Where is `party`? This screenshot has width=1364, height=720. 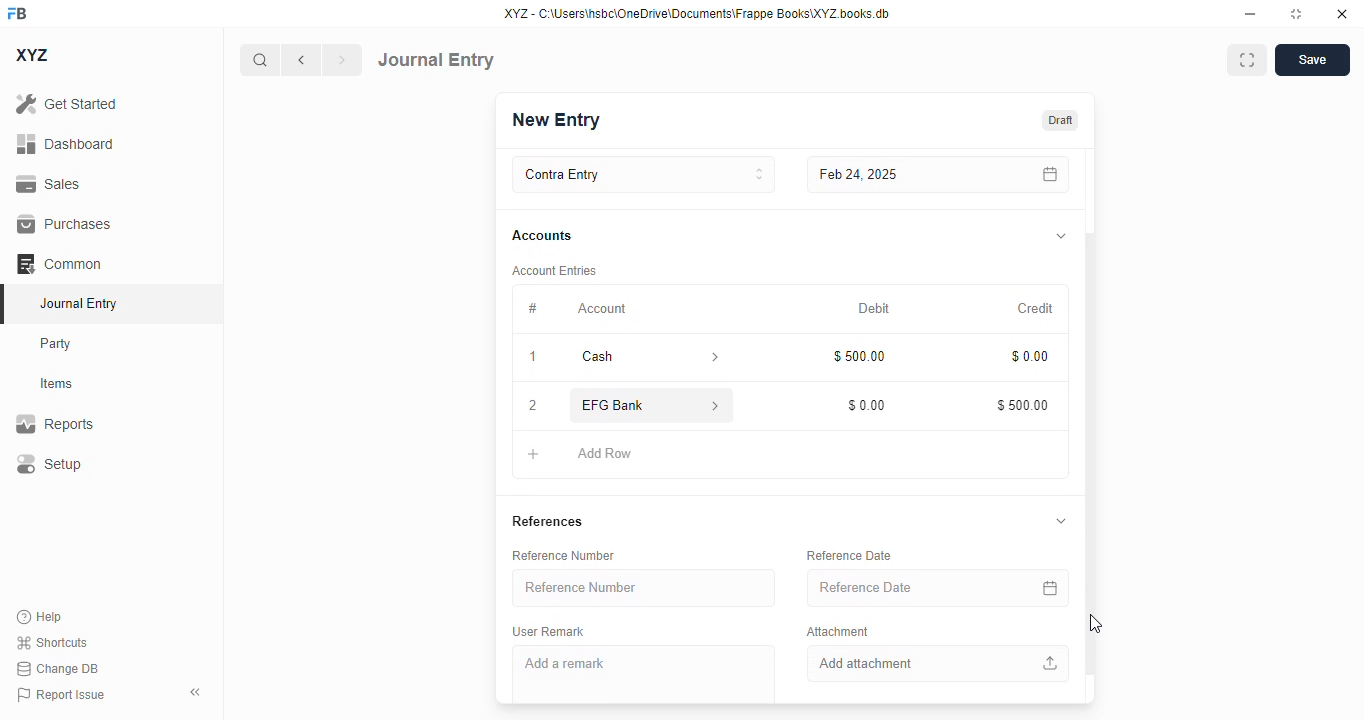
party is located at coordinates (58, 344).